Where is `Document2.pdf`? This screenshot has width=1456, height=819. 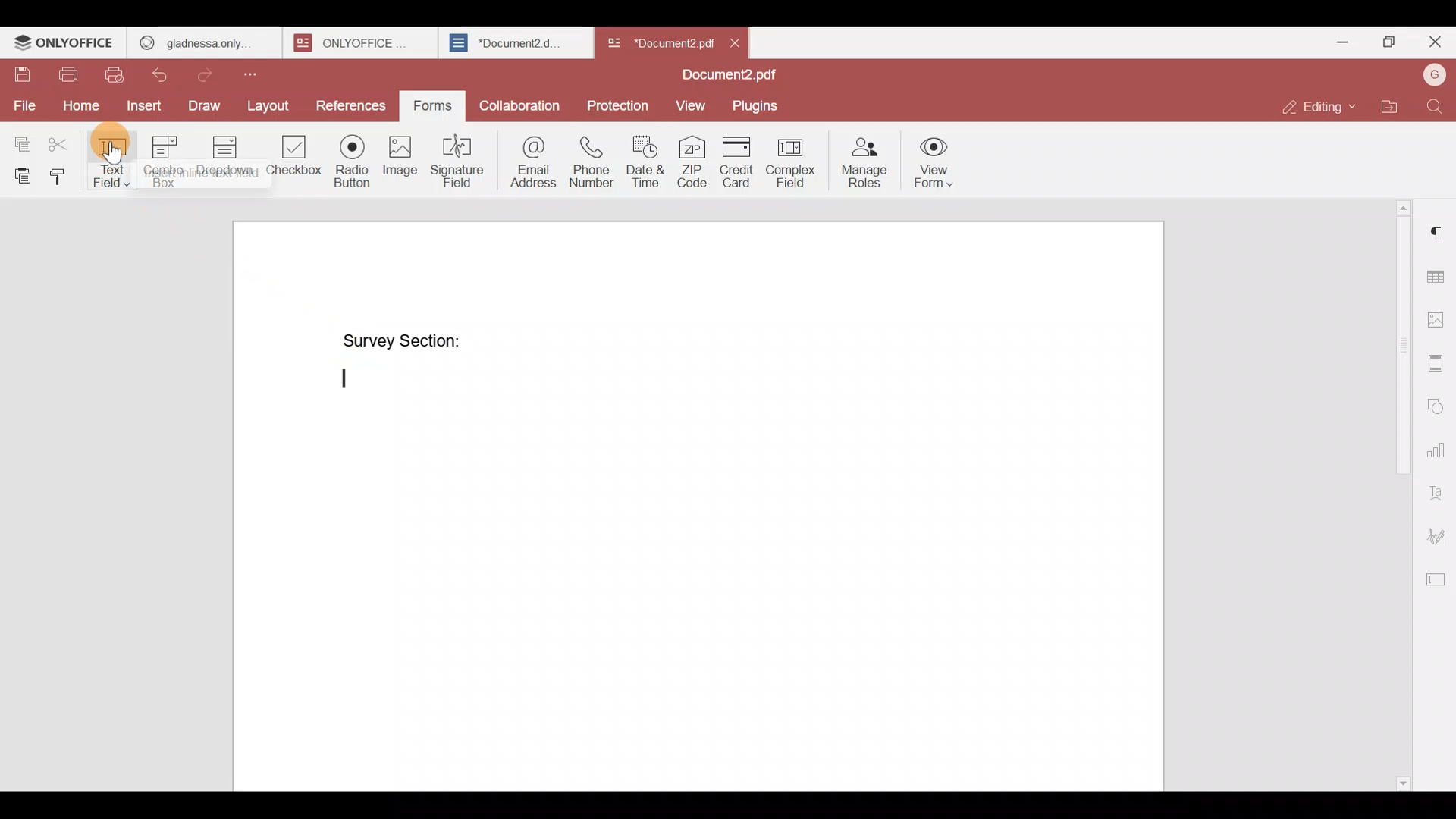
Document2.pdf is located at coordinates (724, 76).